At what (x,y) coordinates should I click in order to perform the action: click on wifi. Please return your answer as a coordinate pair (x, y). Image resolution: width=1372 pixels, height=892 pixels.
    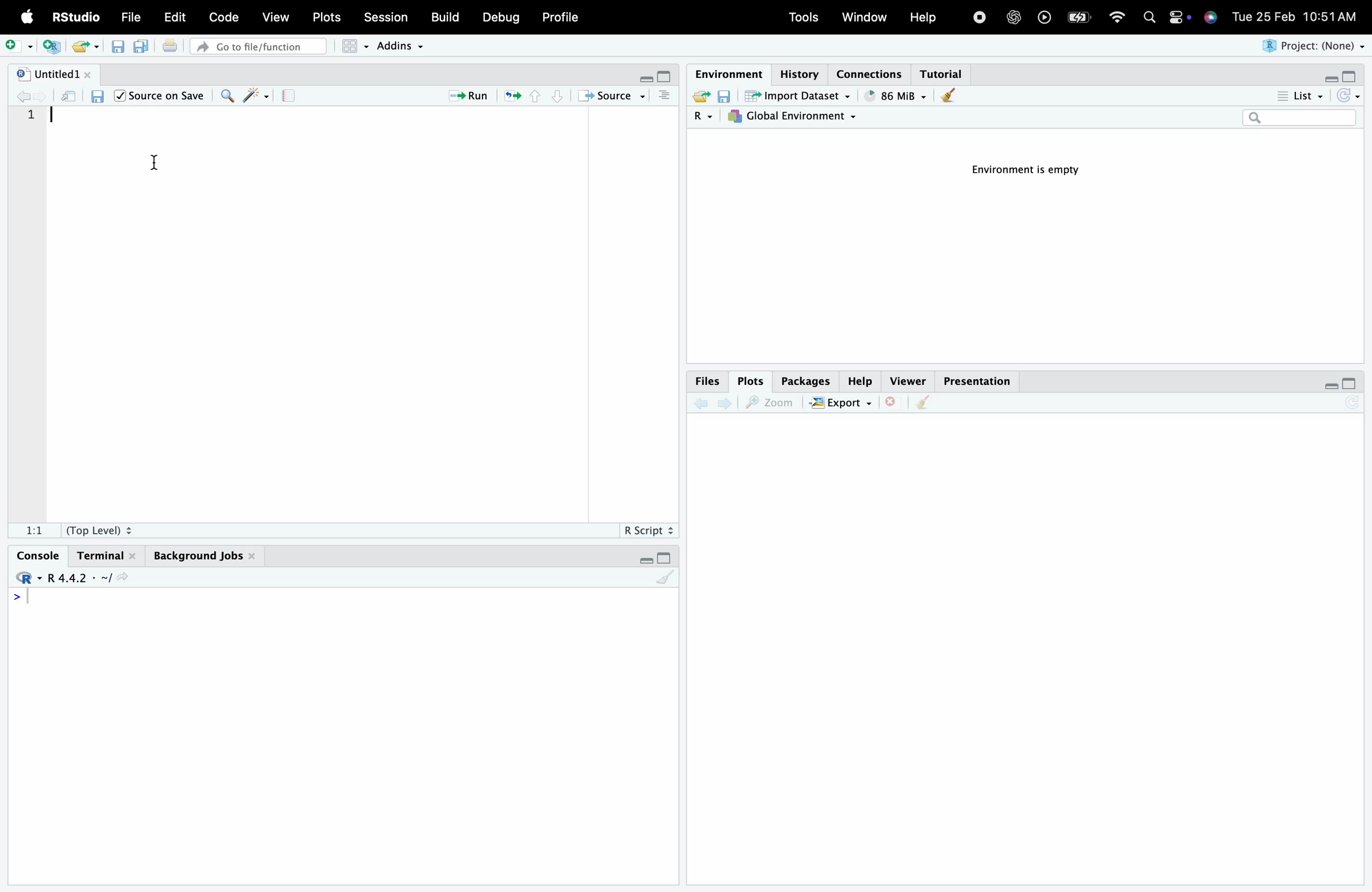
    Looking at the image, I should click on (1121, 18).